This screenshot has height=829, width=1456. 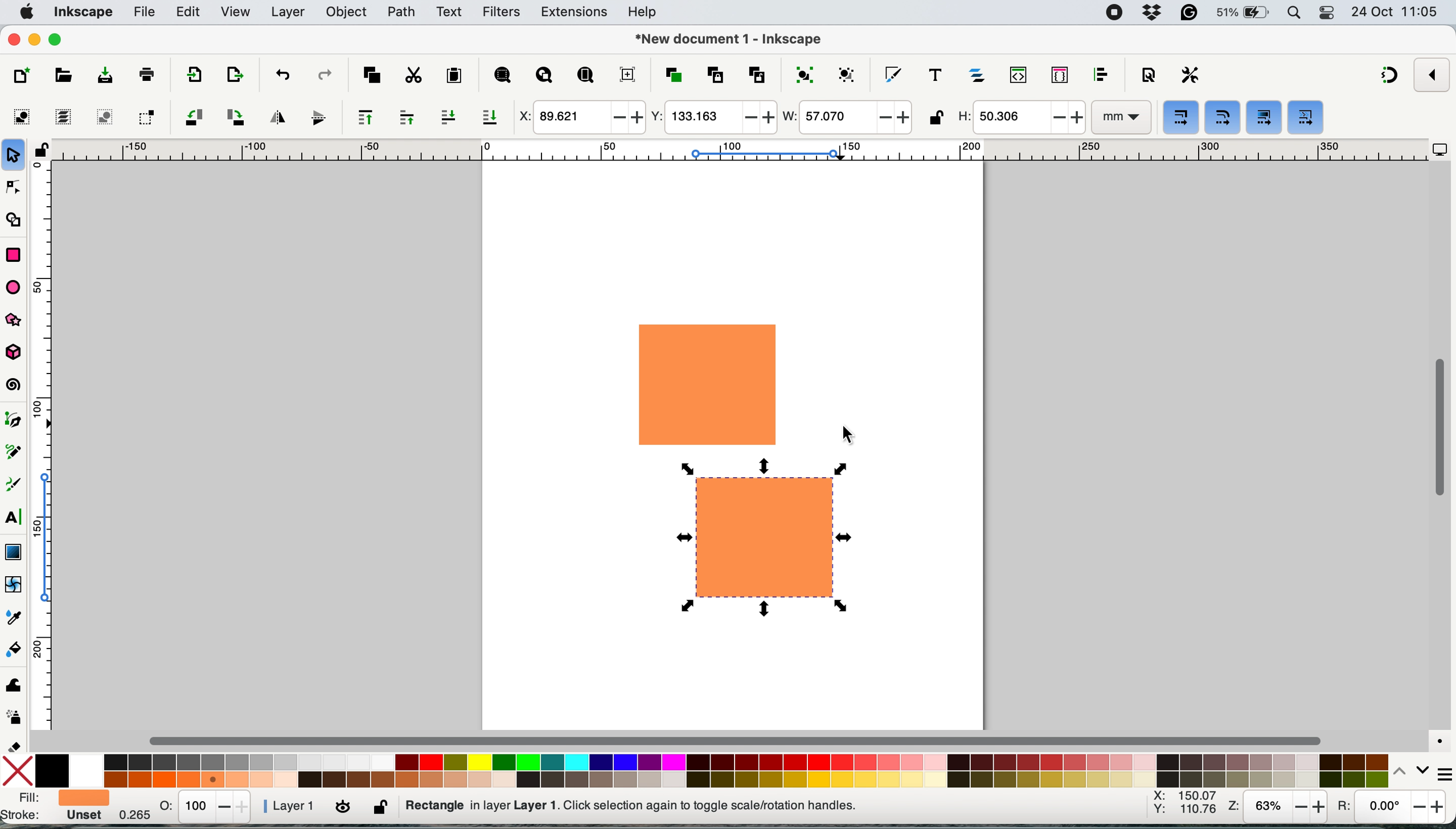 I want to click on perferences, so click(x=1191, y=75).